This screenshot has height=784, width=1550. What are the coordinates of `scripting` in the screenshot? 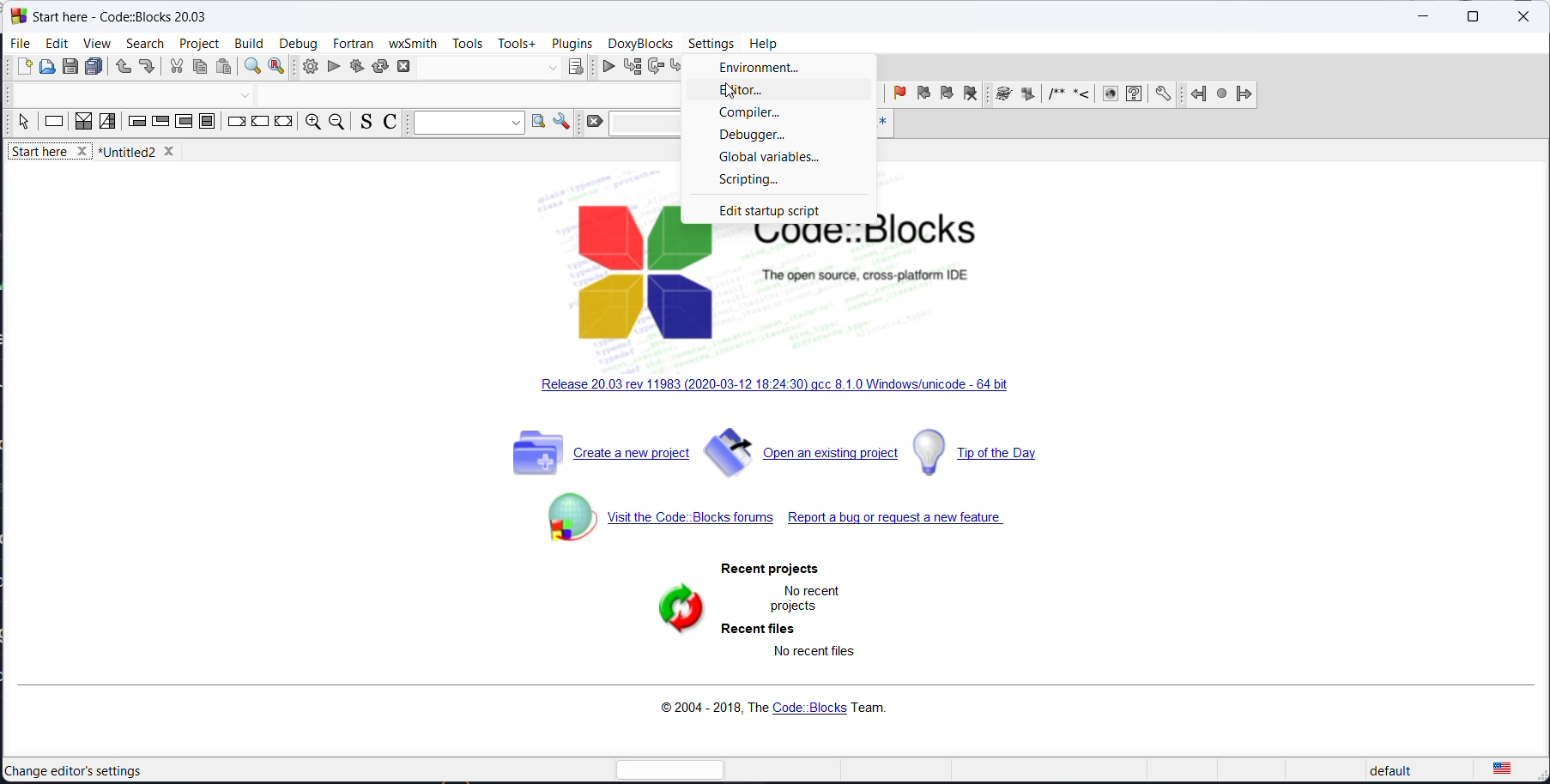 It's located at (780, 180).